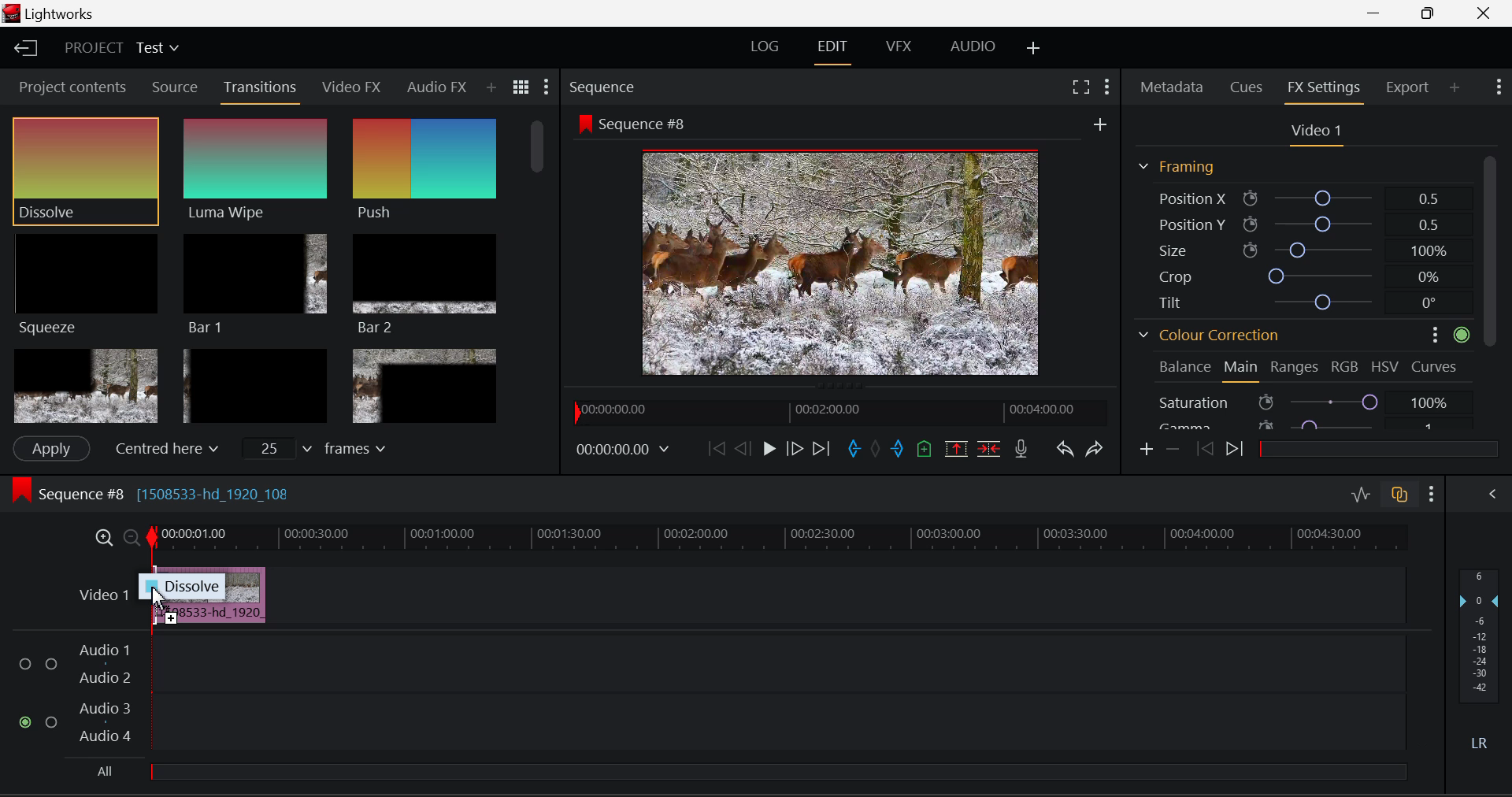 The width and height of the screenshot is (1512, 797). What do you see at coordinates (833, 50) in the screenshot?
I see `EDIT Layout Open` at bounding box center [833, 50].